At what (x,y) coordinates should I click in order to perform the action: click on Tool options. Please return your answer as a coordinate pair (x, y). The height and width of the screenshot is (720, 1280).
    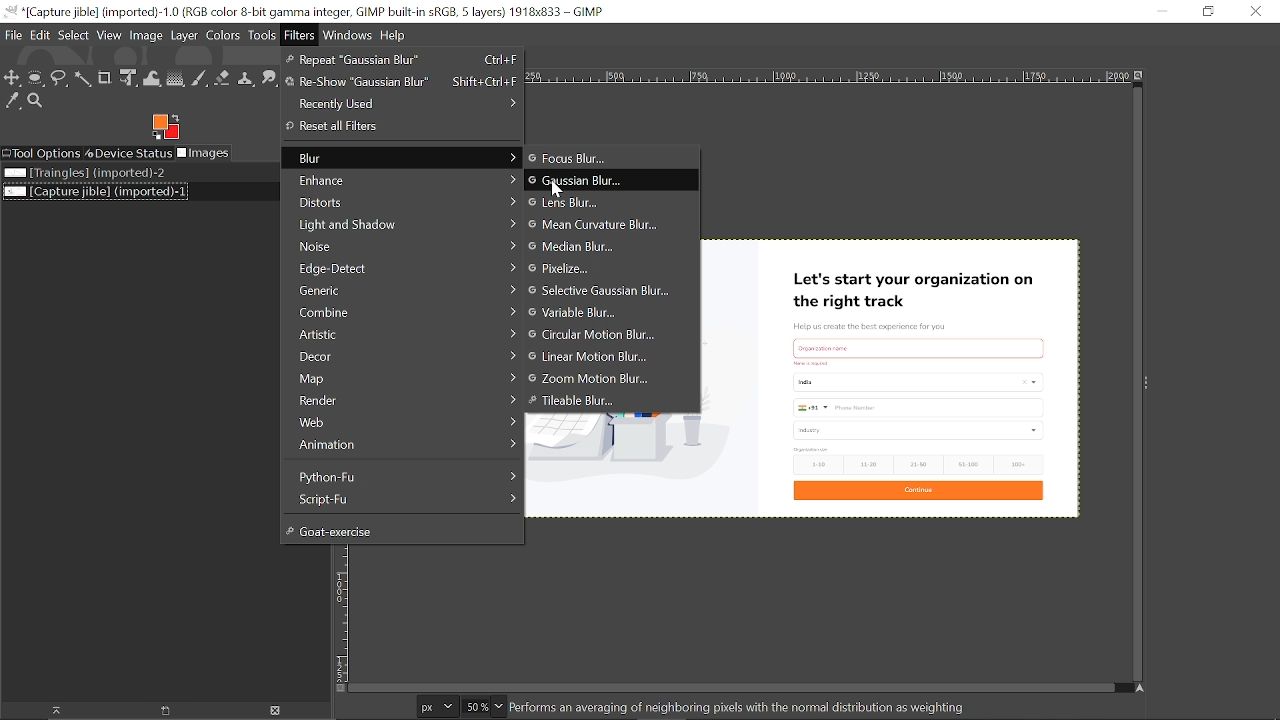
    Looking at the image, I should click on (41, 153).